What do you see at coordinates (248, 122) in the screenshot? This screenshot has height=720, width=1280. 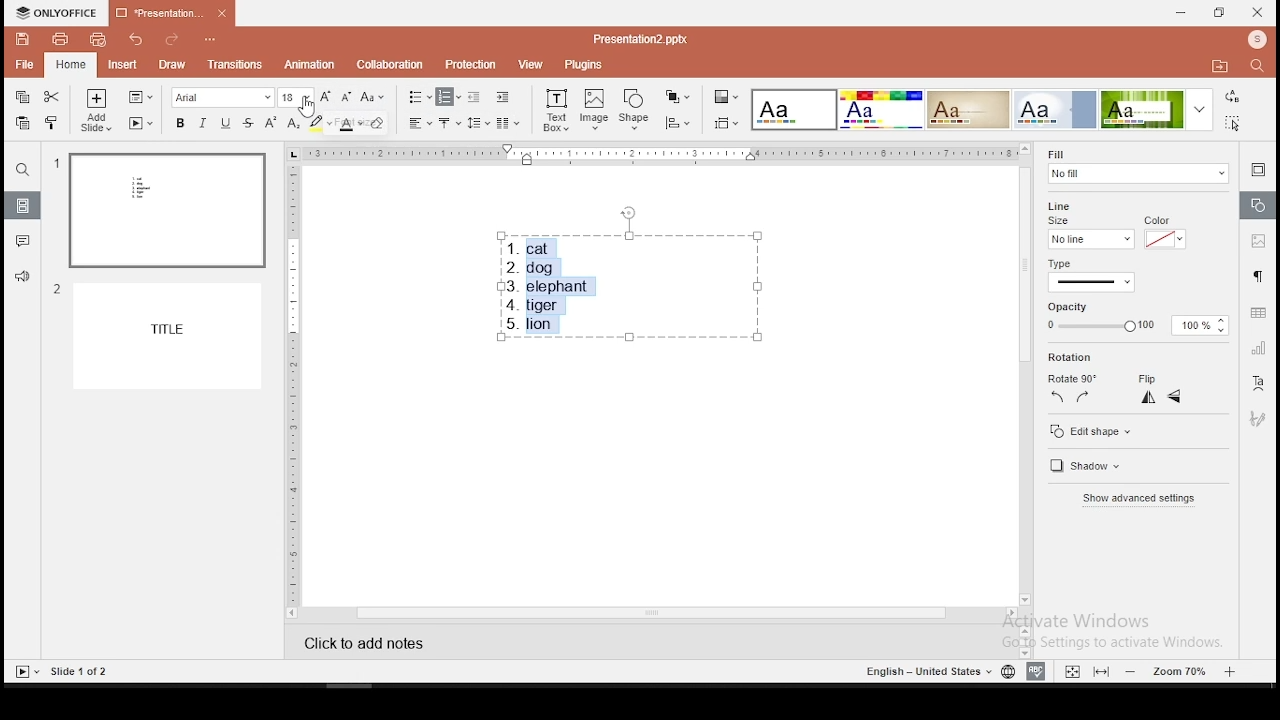 I see `strikethrough` at bounding box center [248, 122].